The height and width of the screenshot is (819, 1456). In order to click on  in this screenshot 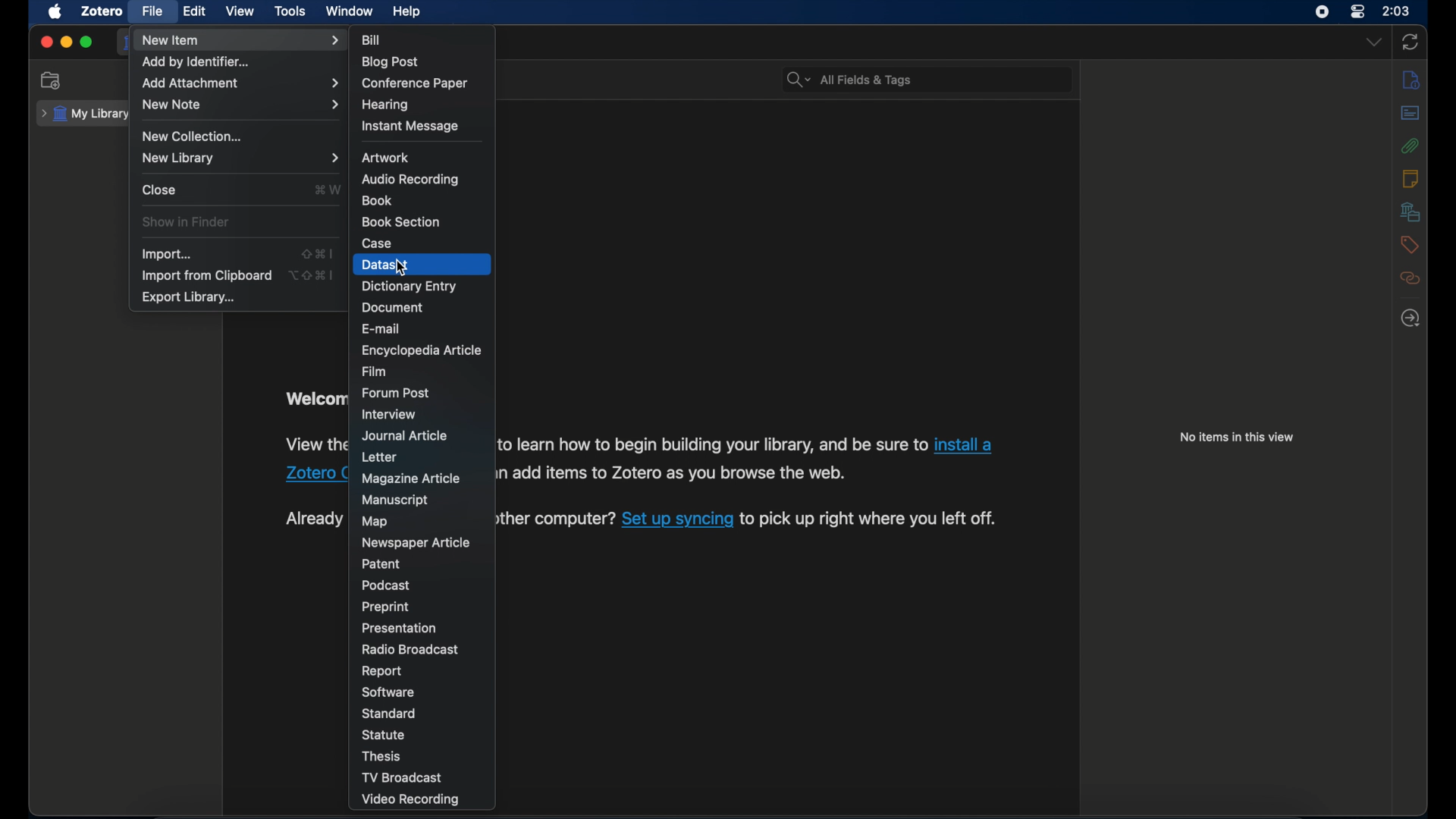, I will do `click(667, 475)`.